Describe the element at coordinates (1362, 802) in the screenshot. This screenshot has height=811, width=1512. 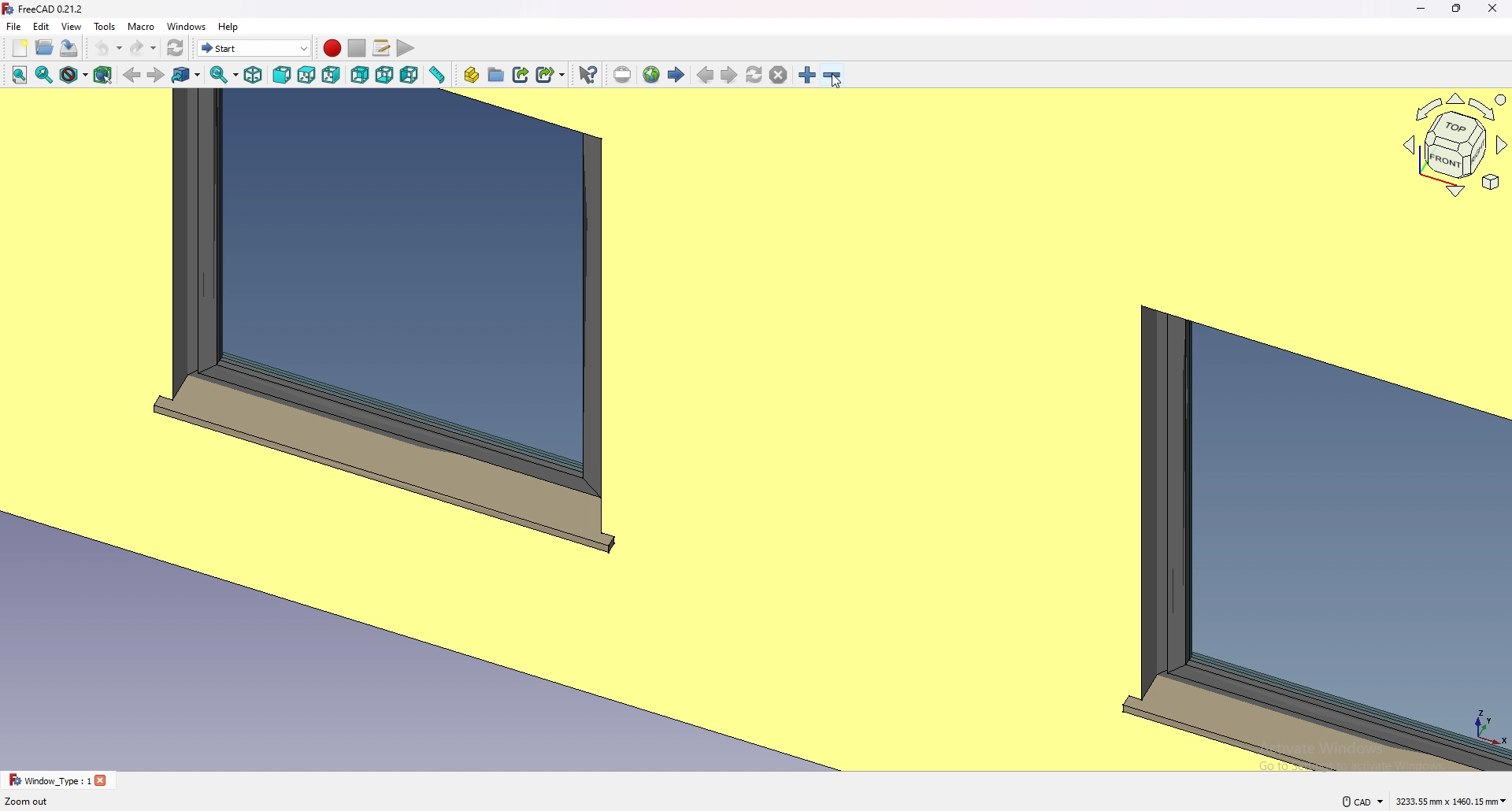
I see `navigation style` at that location.